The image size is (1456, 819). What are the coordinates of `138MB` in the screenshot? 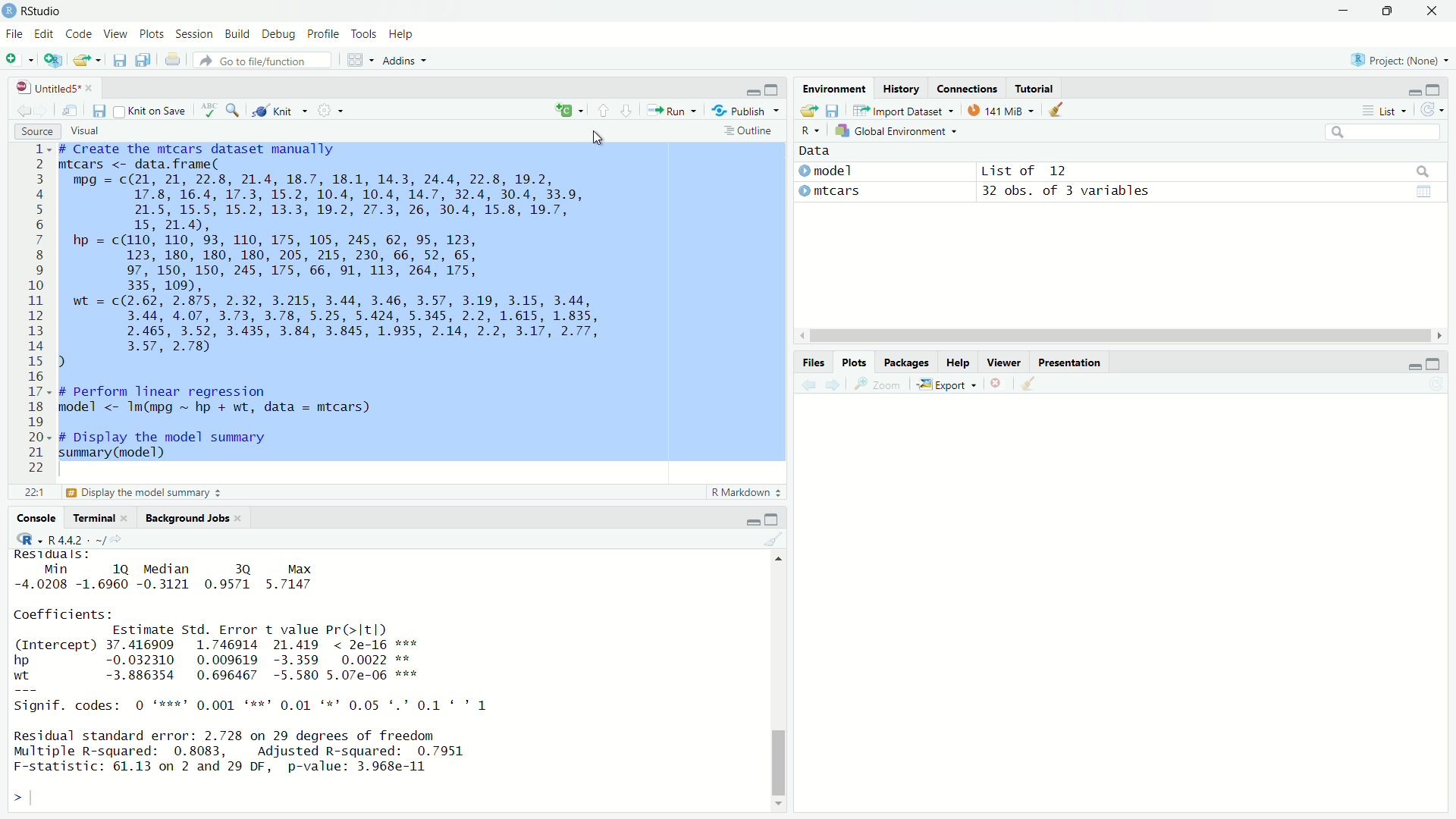 It's located at (1004, 112).